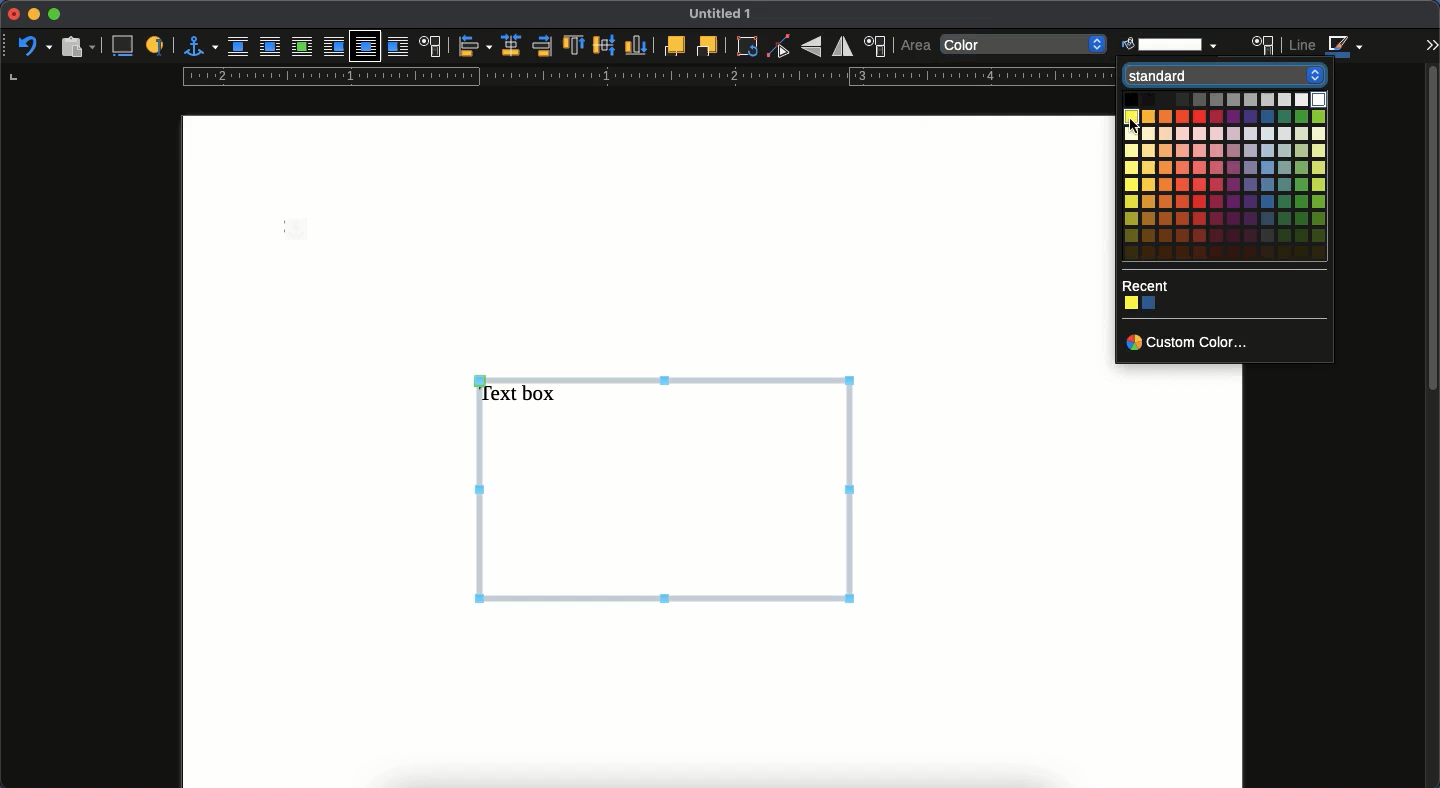 This screenshot has height=788, width=1440. I want to click on guide, so click(645, 77).